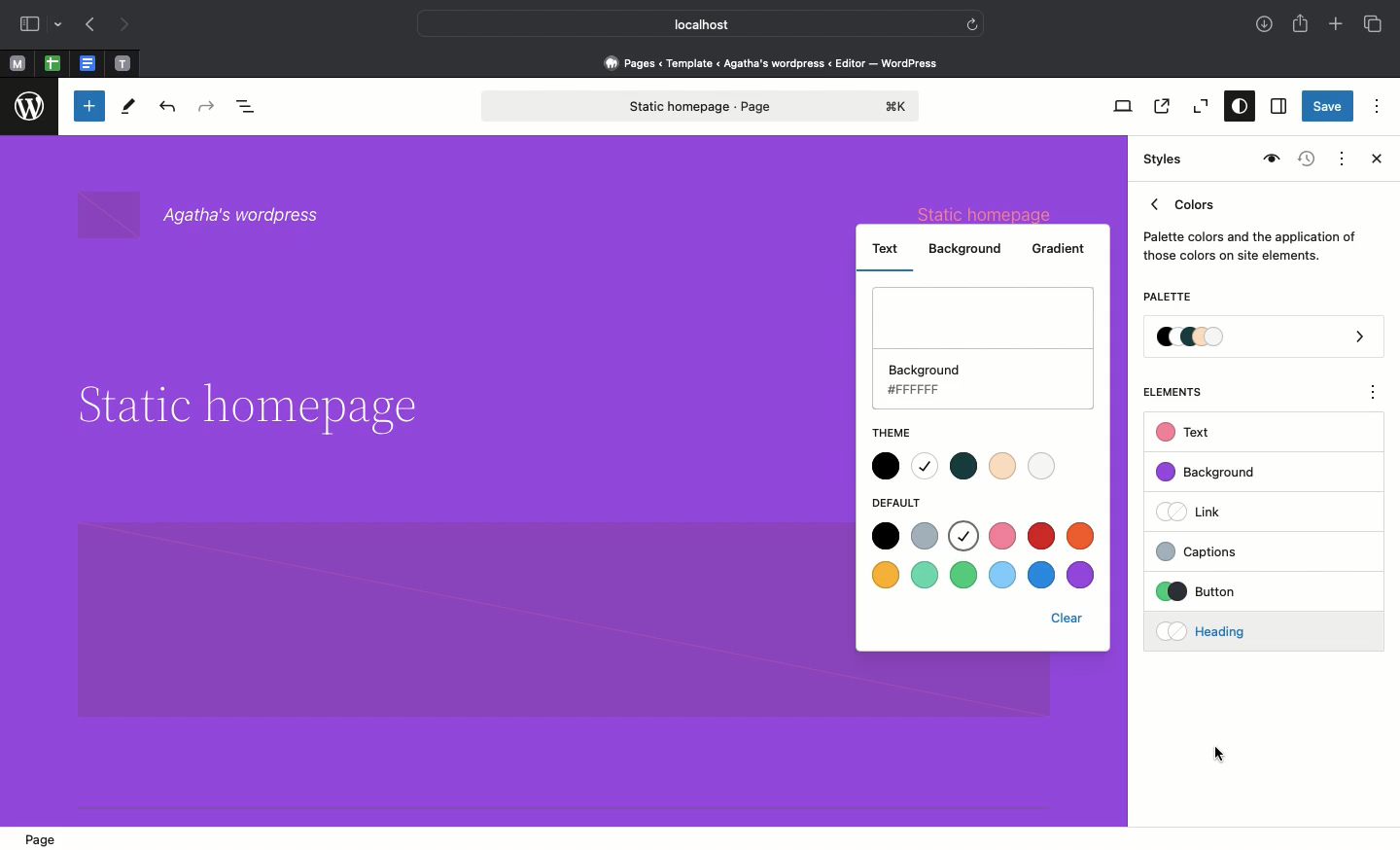  Describe the element at coordinates (89, 64) in the screenshot. I see `Pinned tab` at that location.